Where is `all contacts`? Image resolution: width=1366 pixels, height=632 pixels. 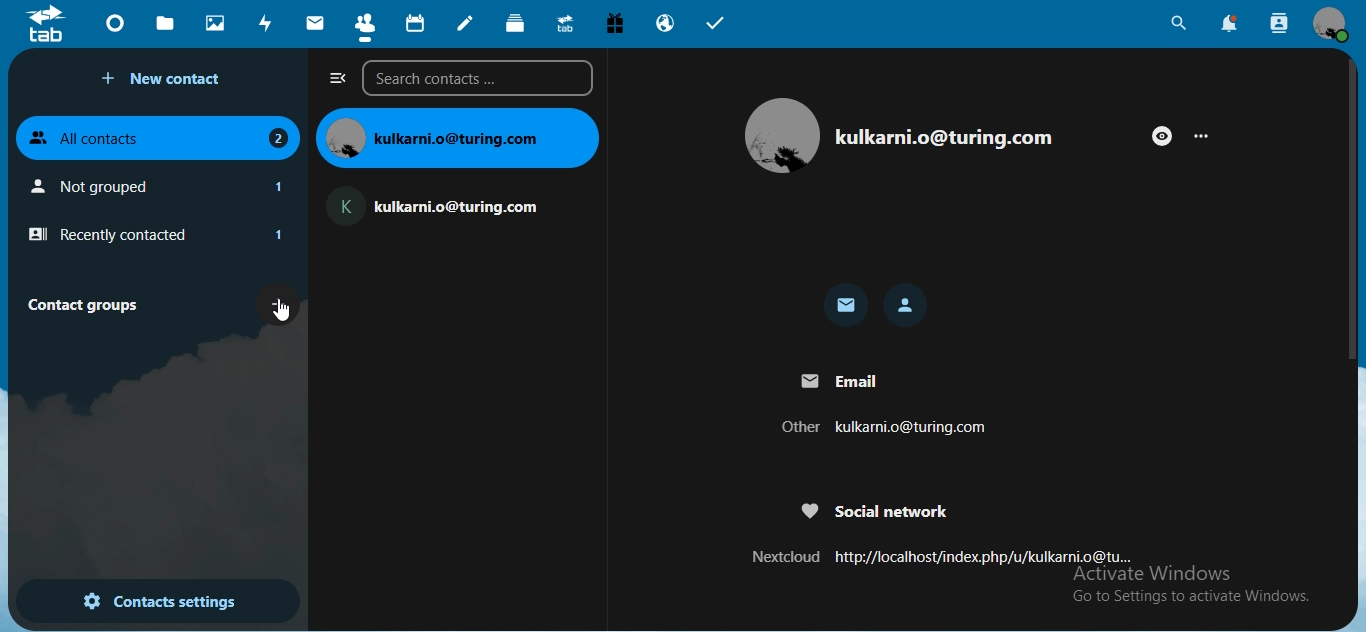
all contacts is located at coordinates (159, 135).